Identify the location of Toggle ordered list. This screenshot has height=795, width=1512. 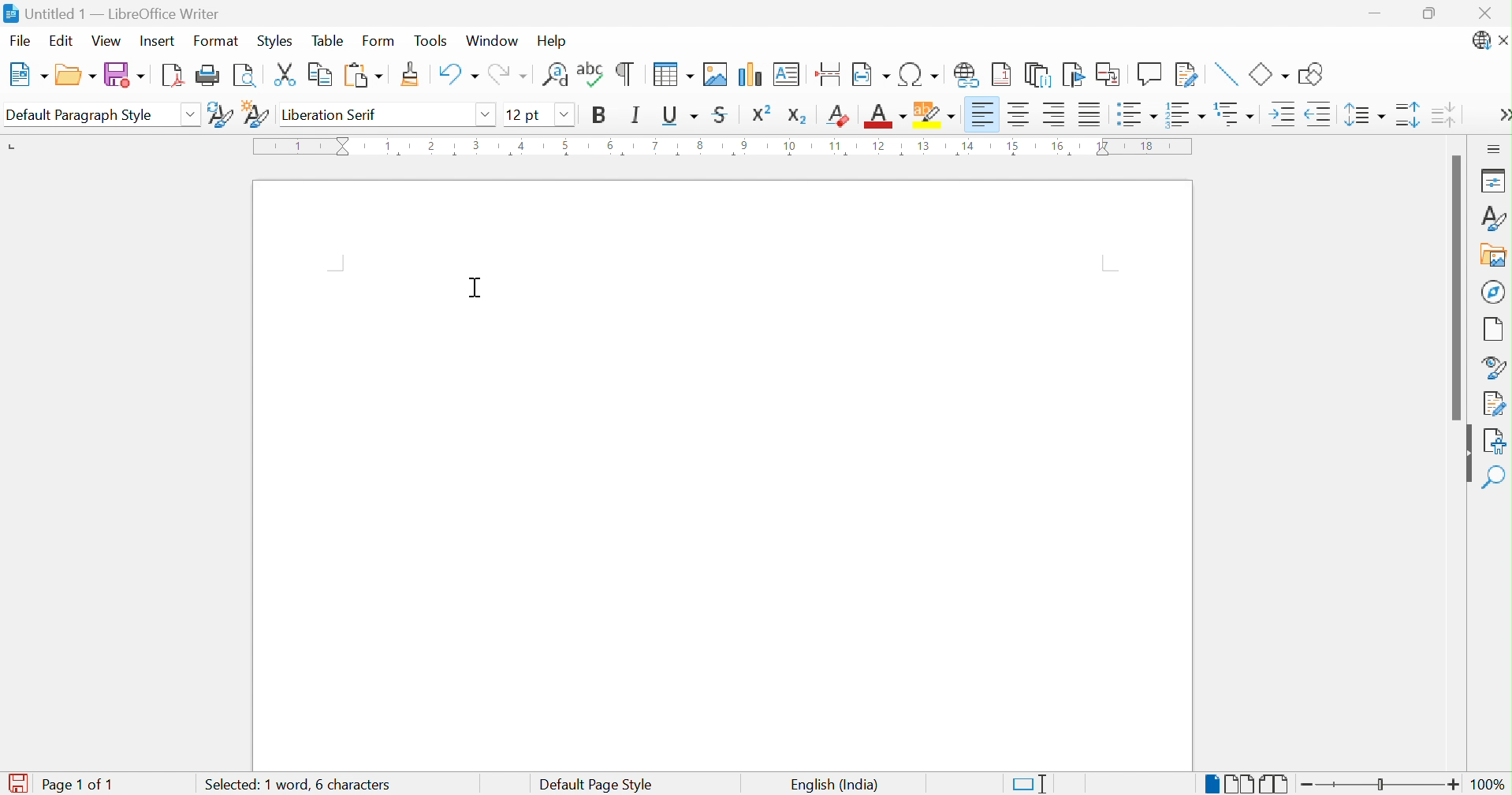
(1187, 114).